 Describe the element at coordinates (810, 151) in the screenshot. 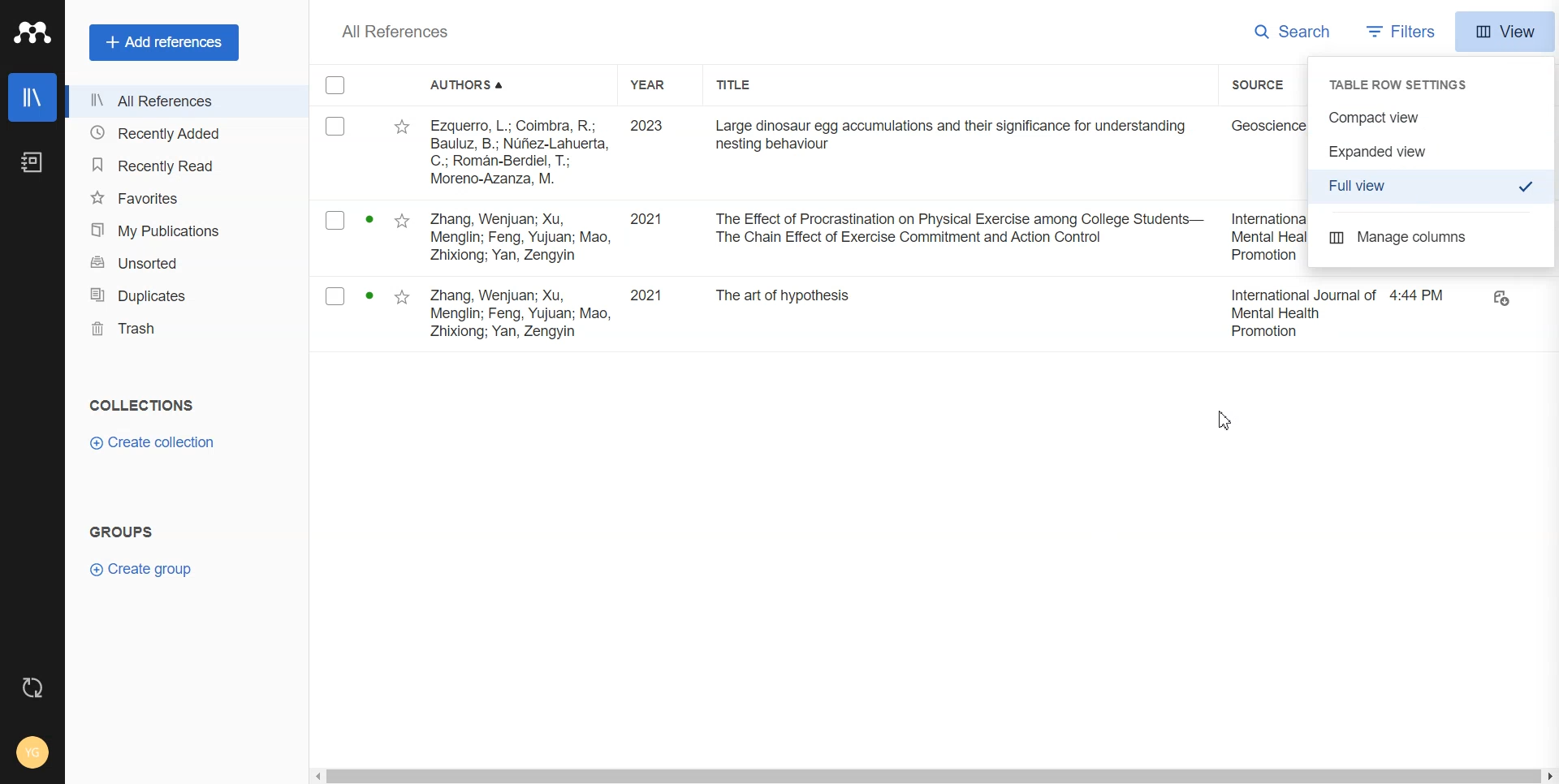

I see `File` at that location.